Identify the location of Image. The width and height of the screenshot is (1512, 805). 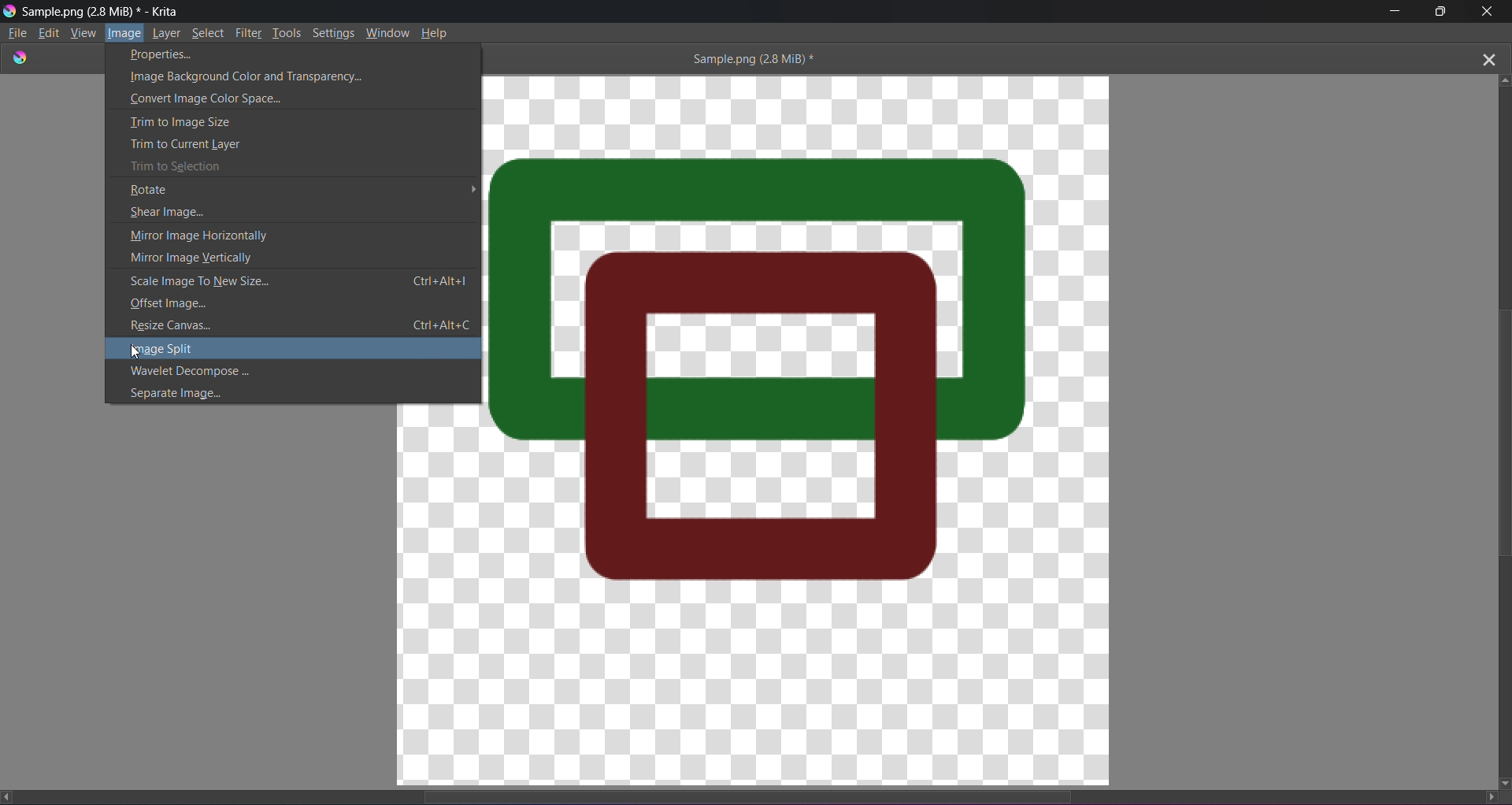
(125, 34).